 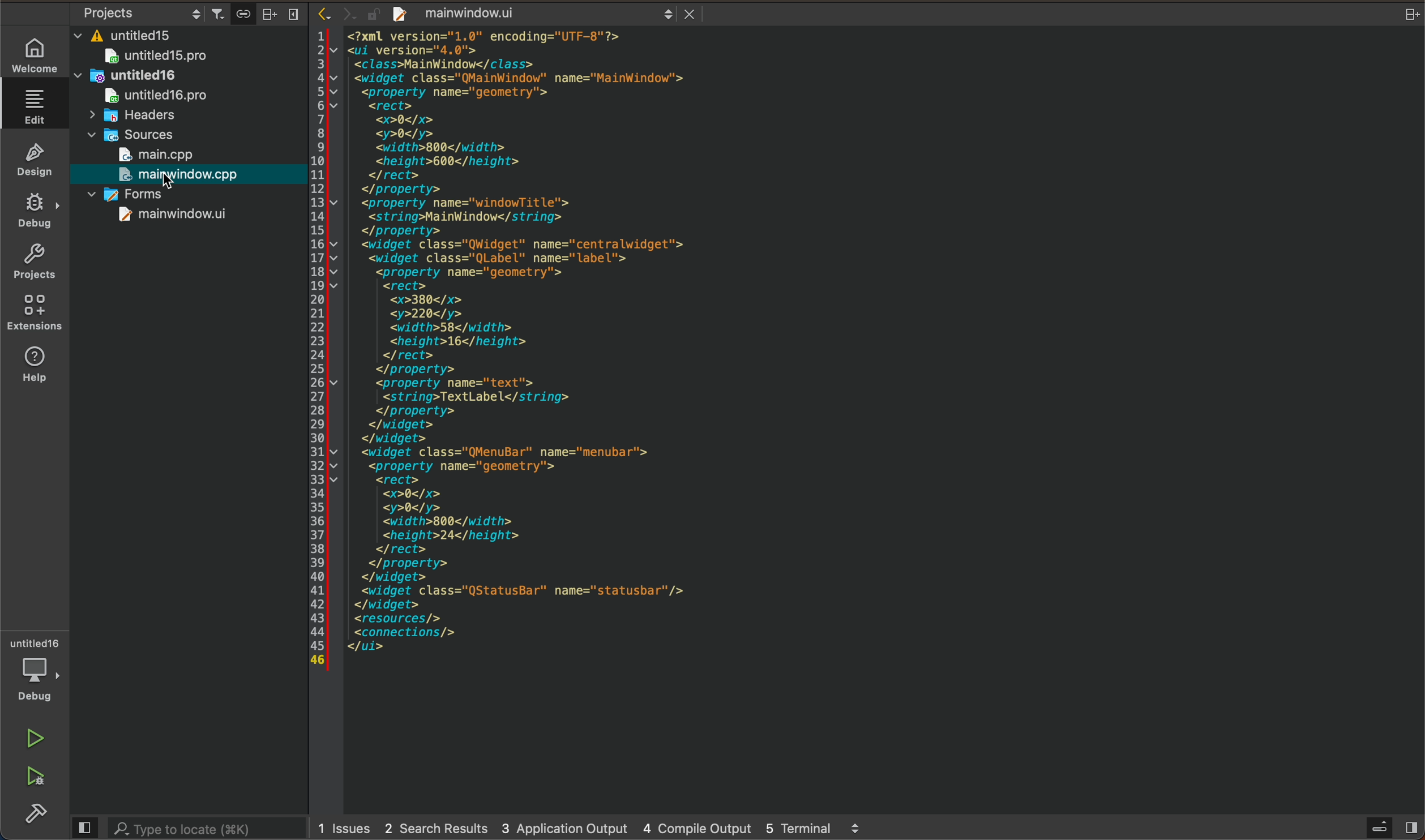 I want to click on mainwindow.cpp, so click(x=180, y=177).